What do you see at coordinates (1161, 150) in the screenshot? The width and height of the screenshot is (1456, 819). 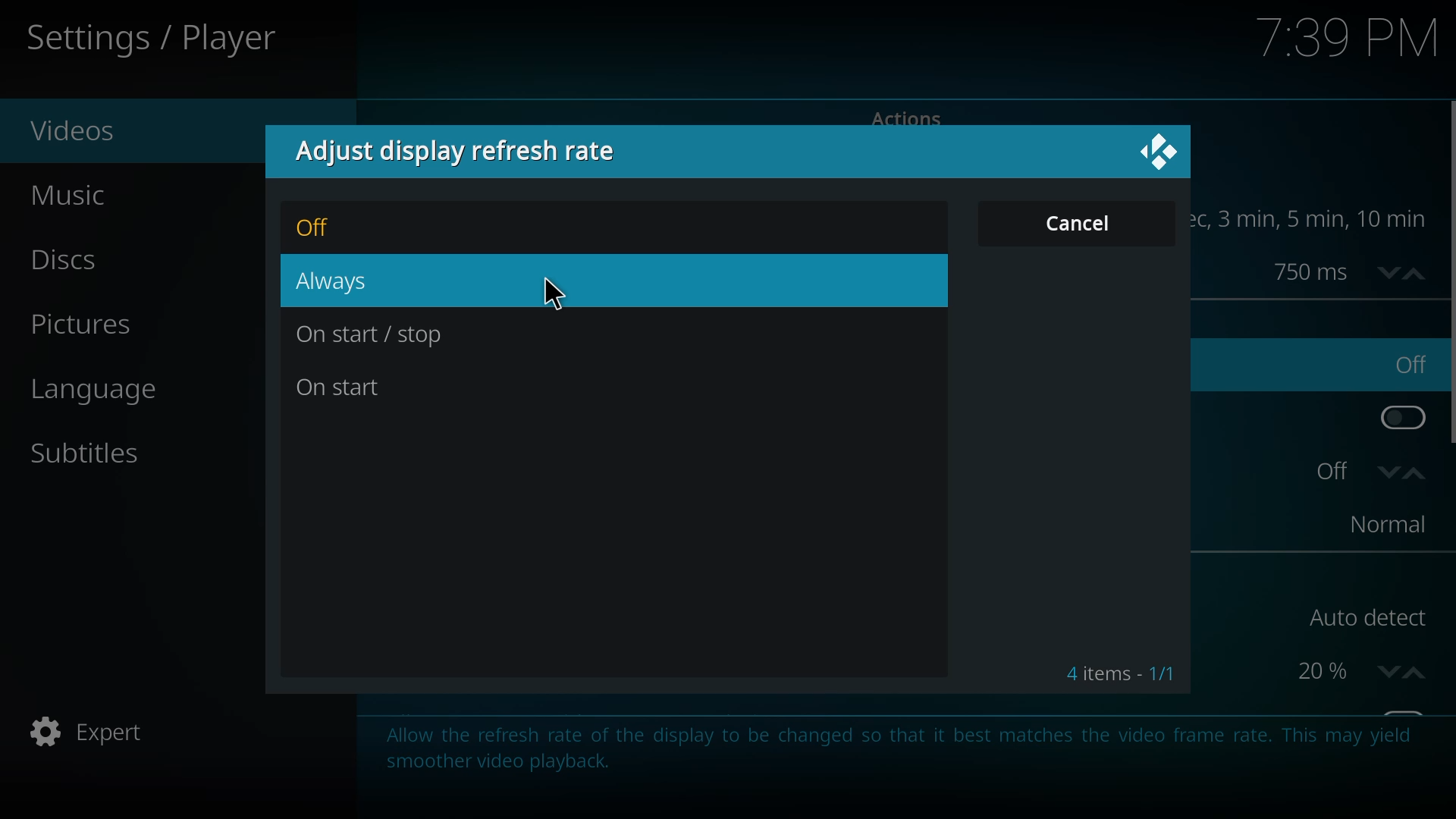 I see `close` at bounding box center [1161, 150].